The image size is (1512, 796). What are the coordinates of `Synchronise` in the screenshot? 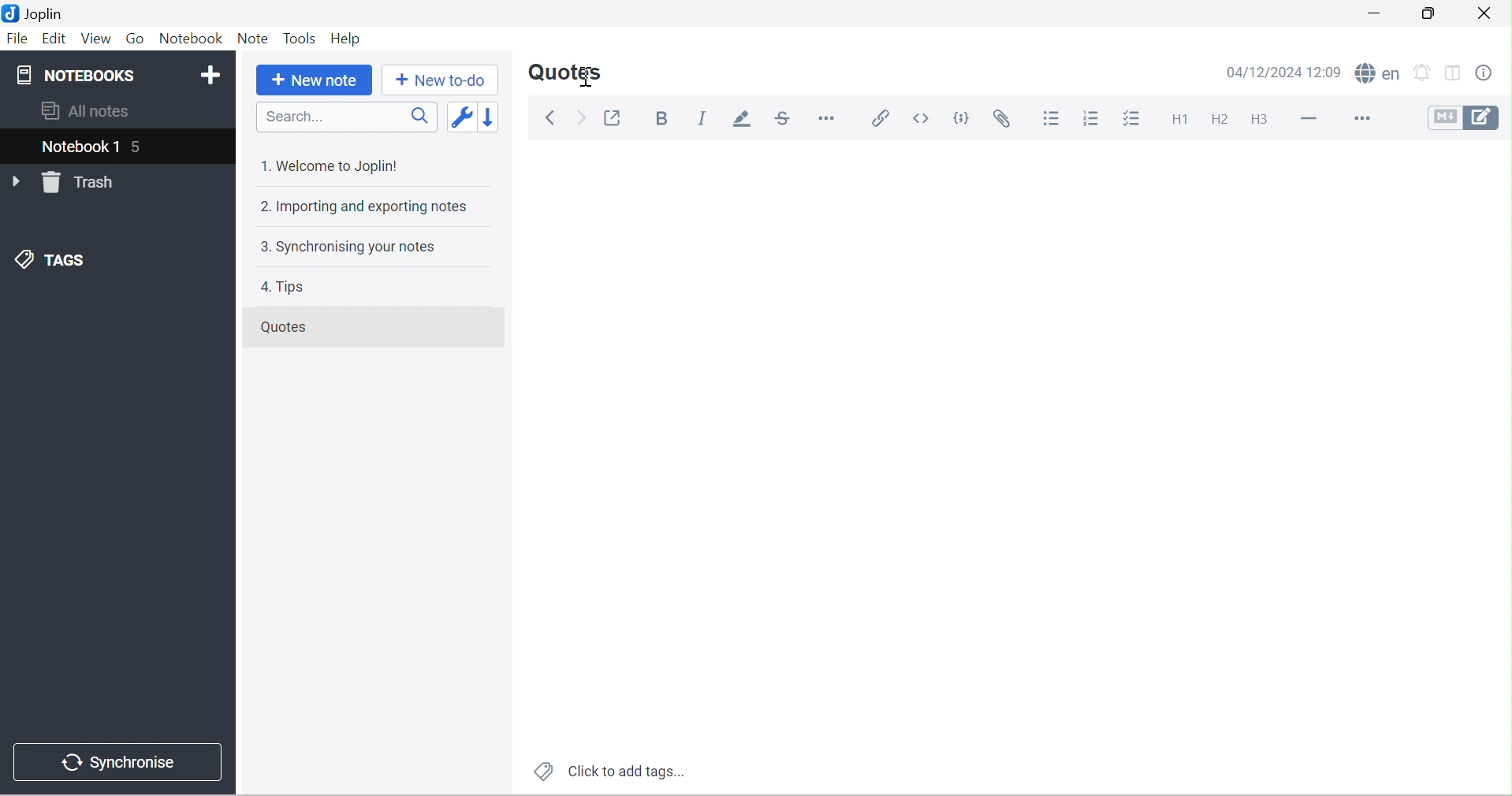 It's located at (122, 764).